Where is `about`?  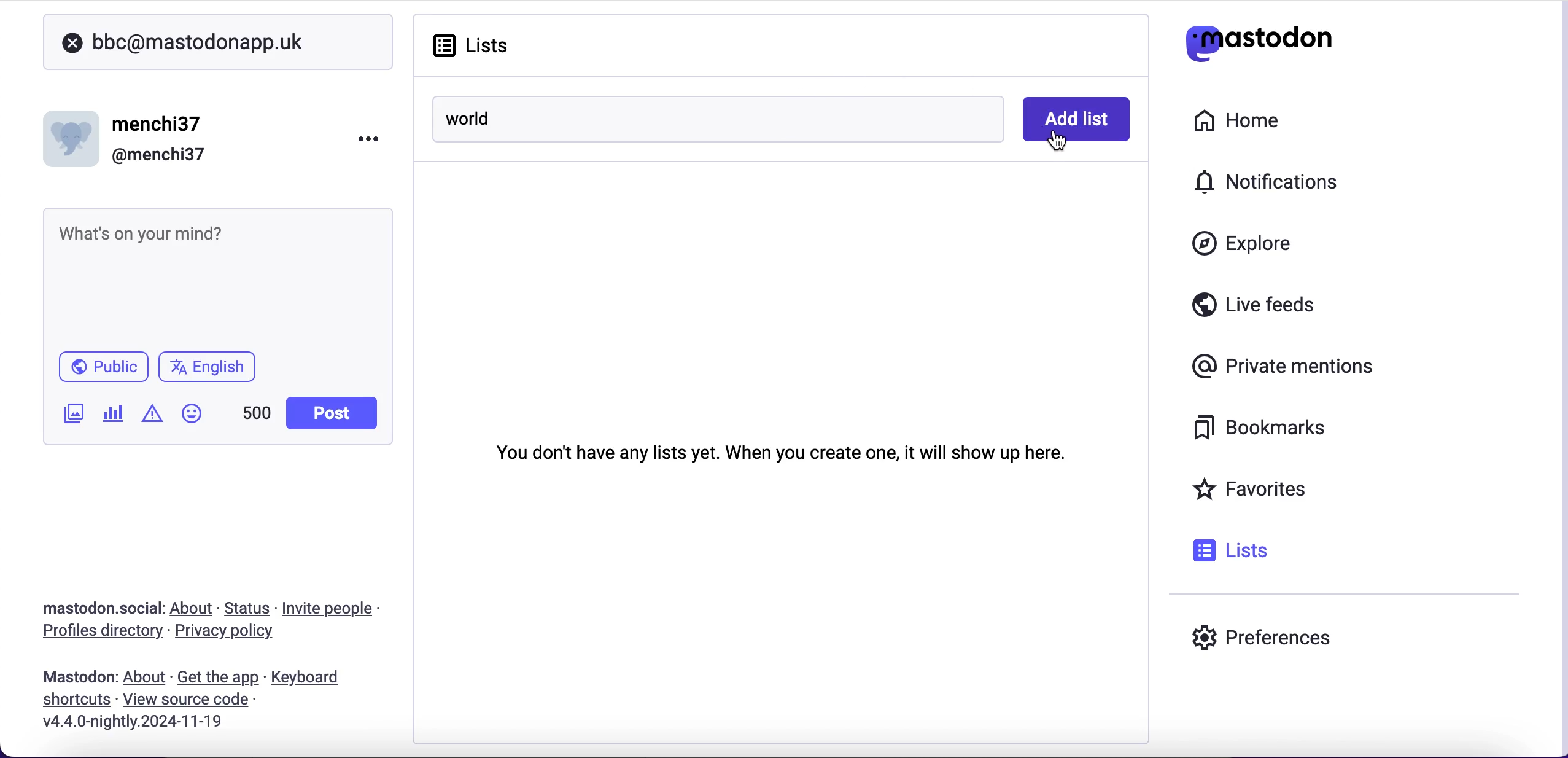
about is located at coordinates (194, 608).